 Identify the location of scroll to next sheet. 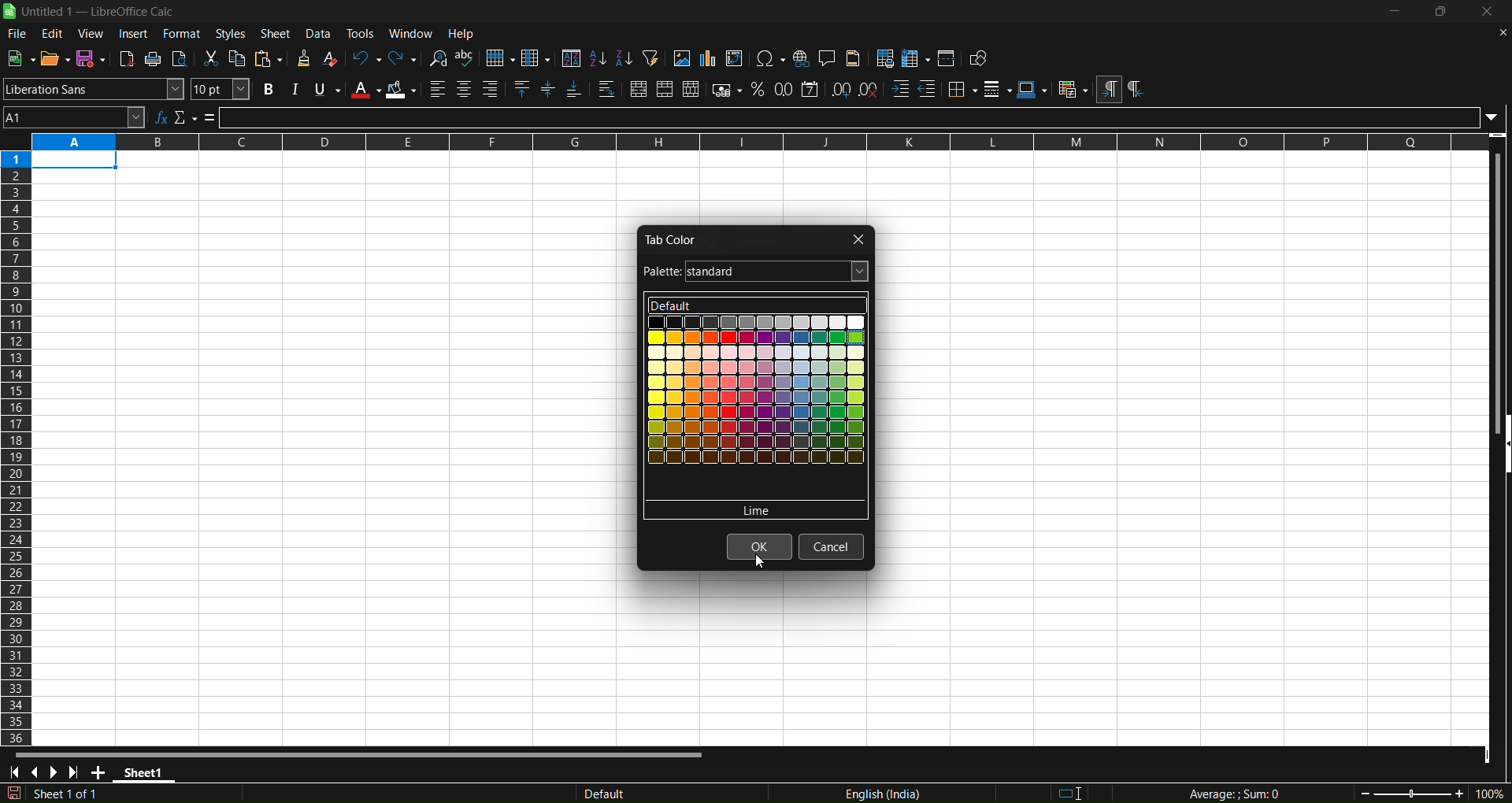
(54, 772).